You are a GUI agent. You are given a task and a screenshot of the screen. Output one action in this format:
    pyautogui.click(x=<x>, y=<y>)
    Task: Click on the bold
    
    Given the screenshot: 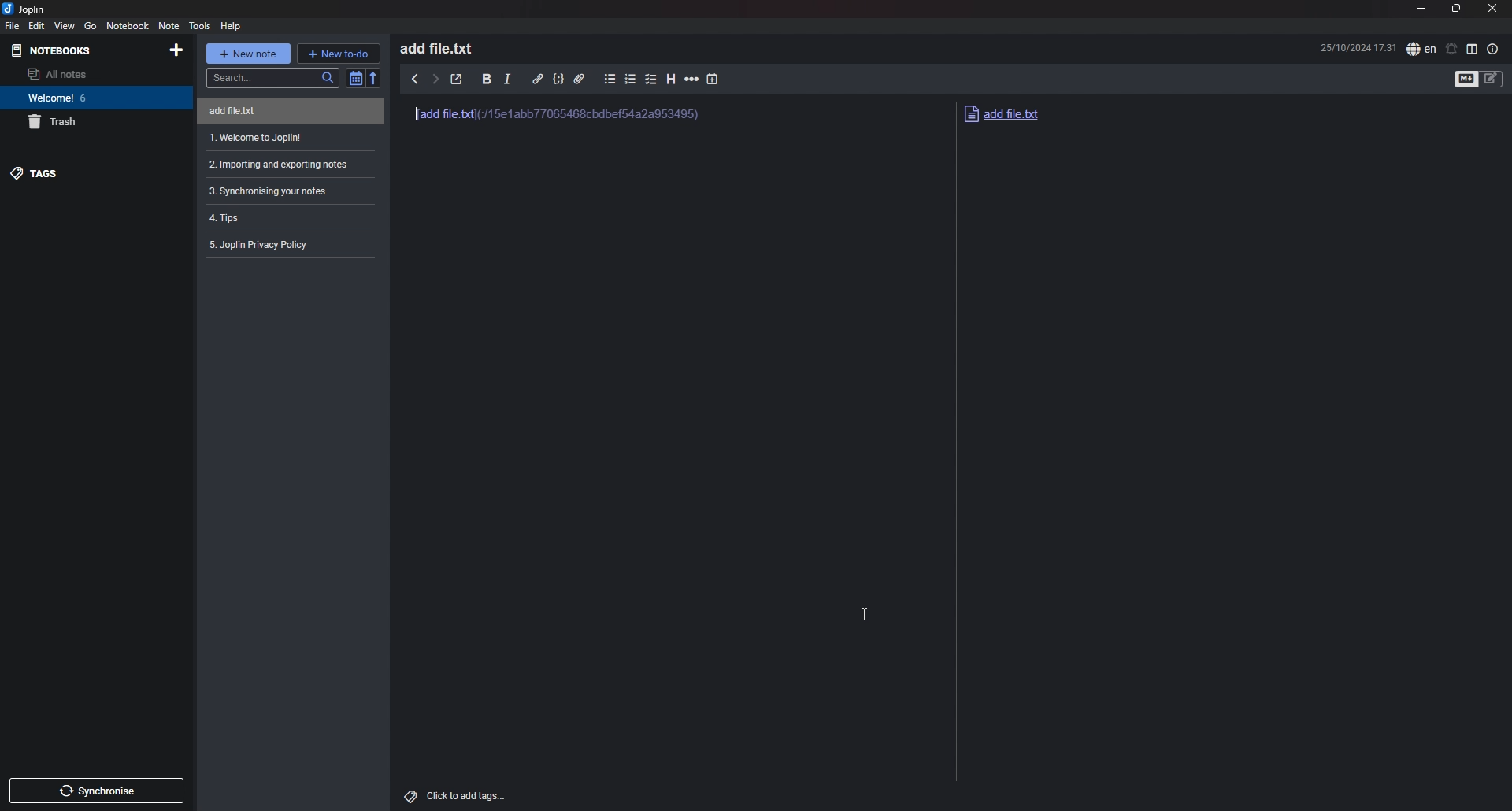 What is the action you would take?
    pyautogui.click(x=487, y=79)
    